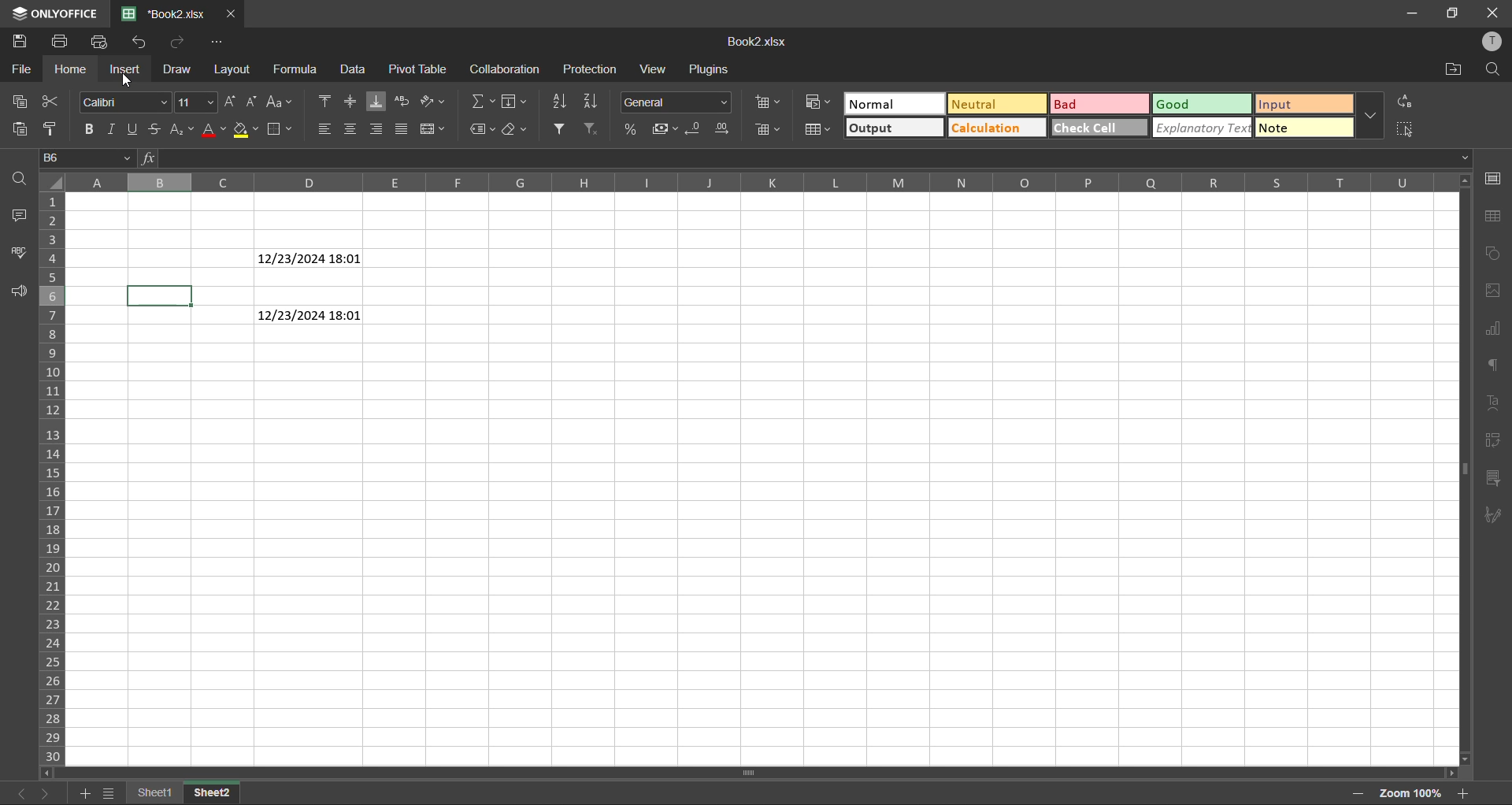 The height and width of the screenshot is (805, 1512). What do you see at coordinates (112, 794) in the screenshot?
I see `sheet list` at bounding box center [112, 794].